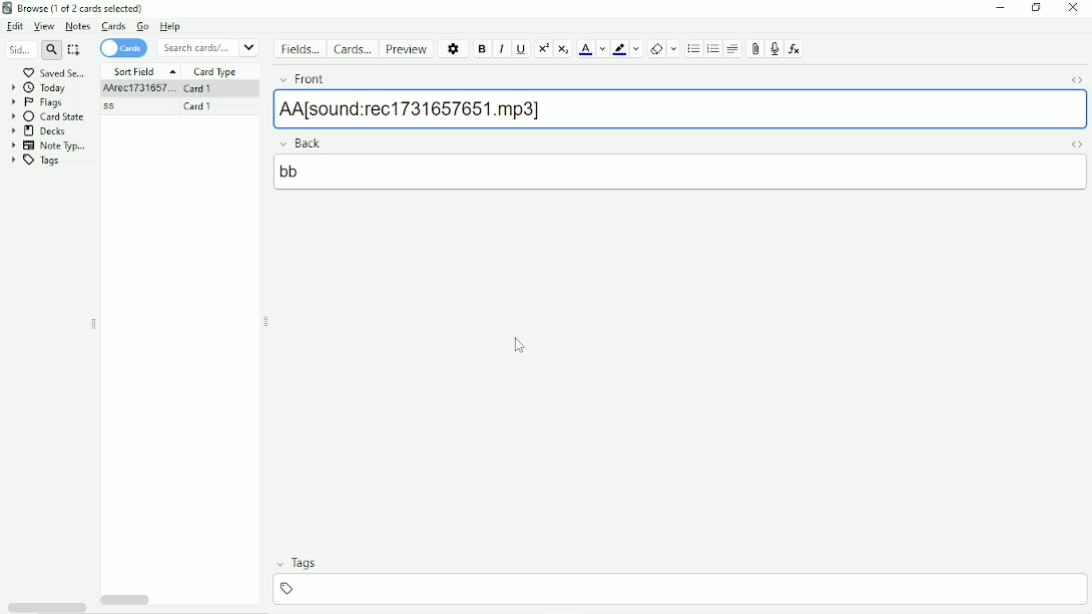 The height and width of the screenshot is (614, 1092). Describe the element at coordinates (670, 172) in the screenshot. I see `bb` at that location.